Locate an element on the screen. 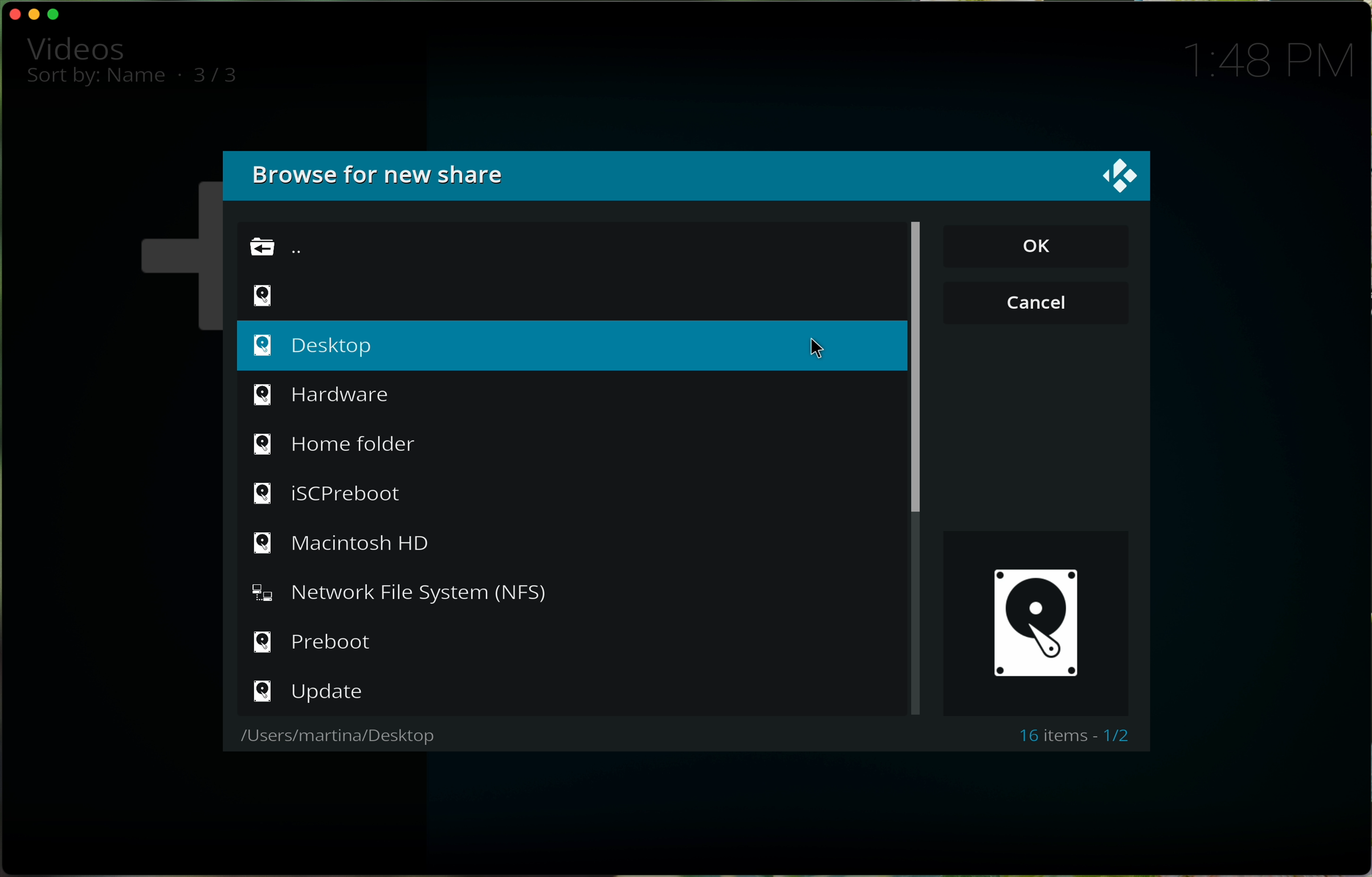 This screenshot has height=877, width=1372. Kodi logo is located at coordinates (1121, 176).